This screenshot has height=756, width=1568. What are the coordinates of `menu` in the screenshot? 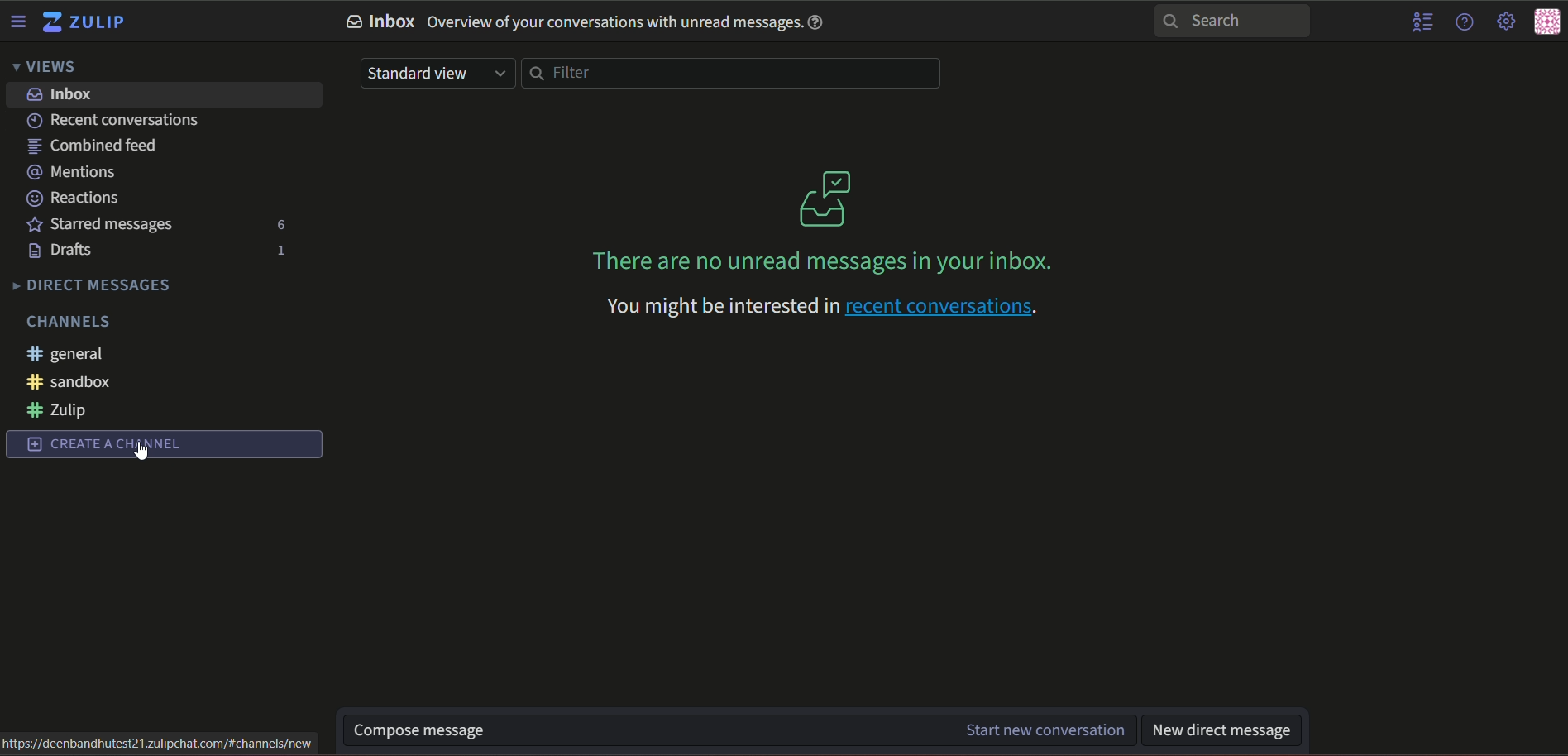 It's located at (21, 22).